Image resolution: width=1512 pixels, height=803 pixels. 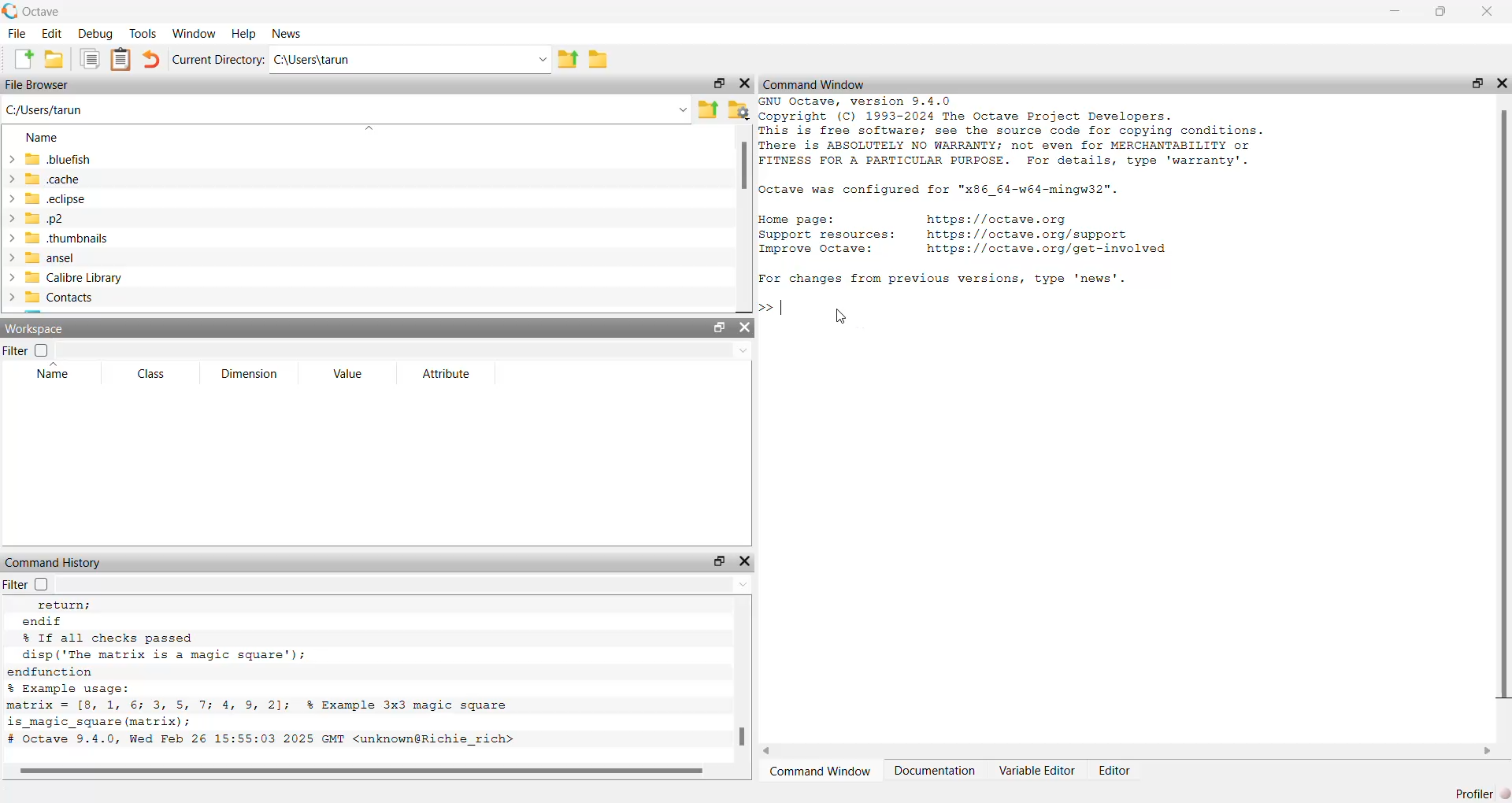 I want to click on Edit, so click(x=51, y=34).